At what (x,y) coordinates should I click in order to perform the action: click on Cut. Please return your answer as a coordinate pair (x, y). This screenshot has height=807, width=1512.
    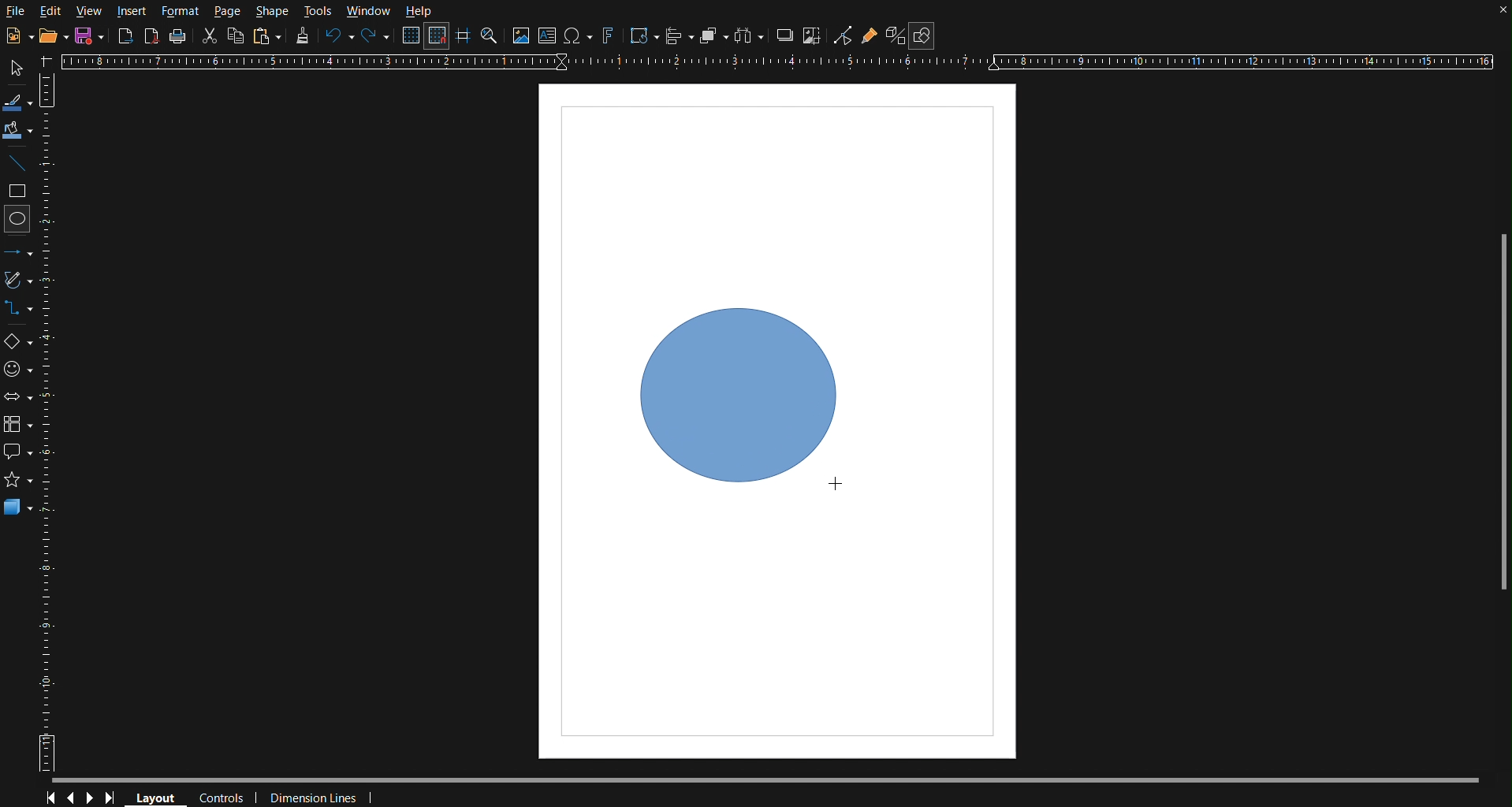
    Looking at the image, I should click on (211, 37).